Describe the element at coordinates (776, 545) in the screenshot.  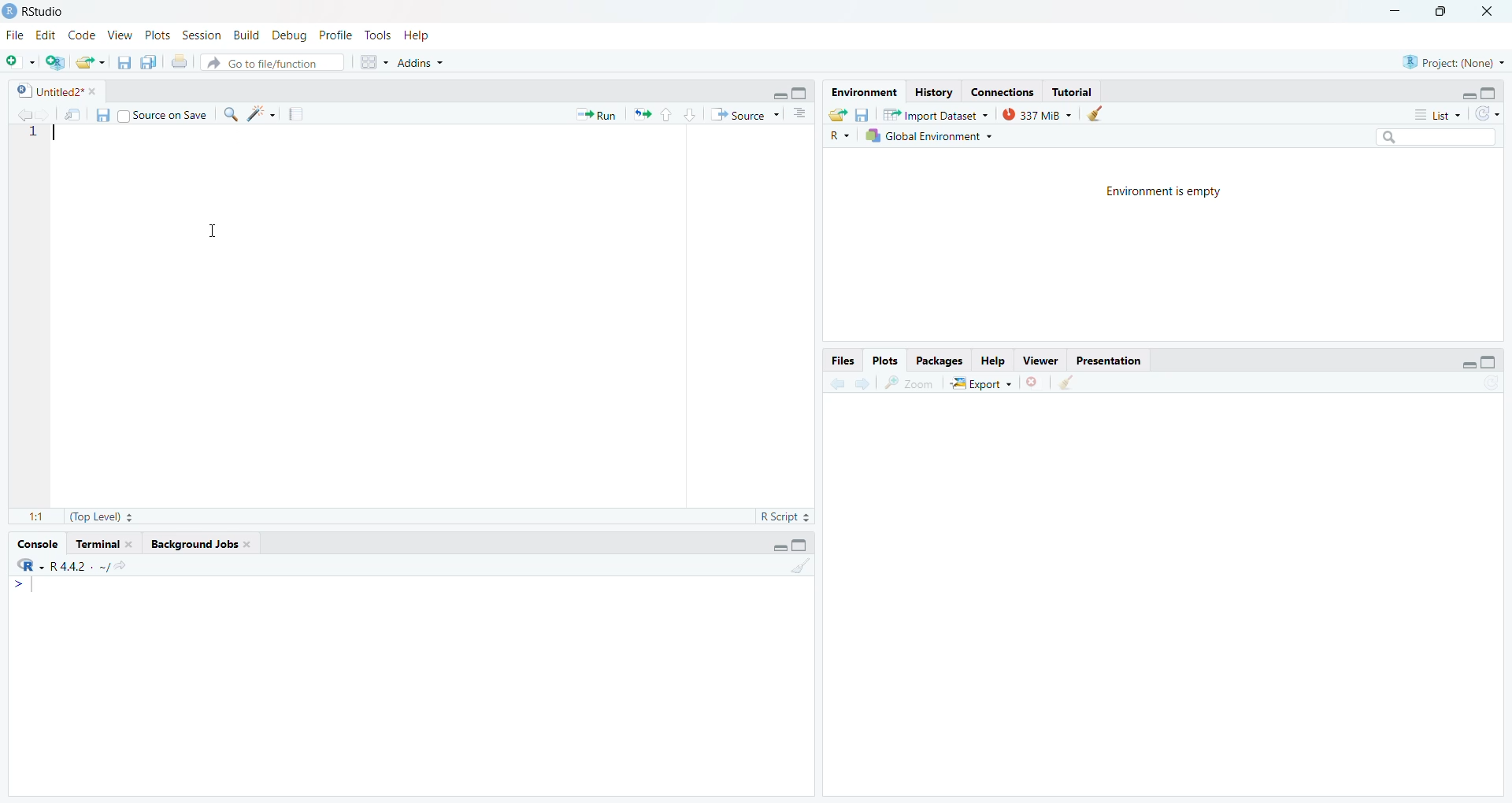
I see `hide r script` at that location.